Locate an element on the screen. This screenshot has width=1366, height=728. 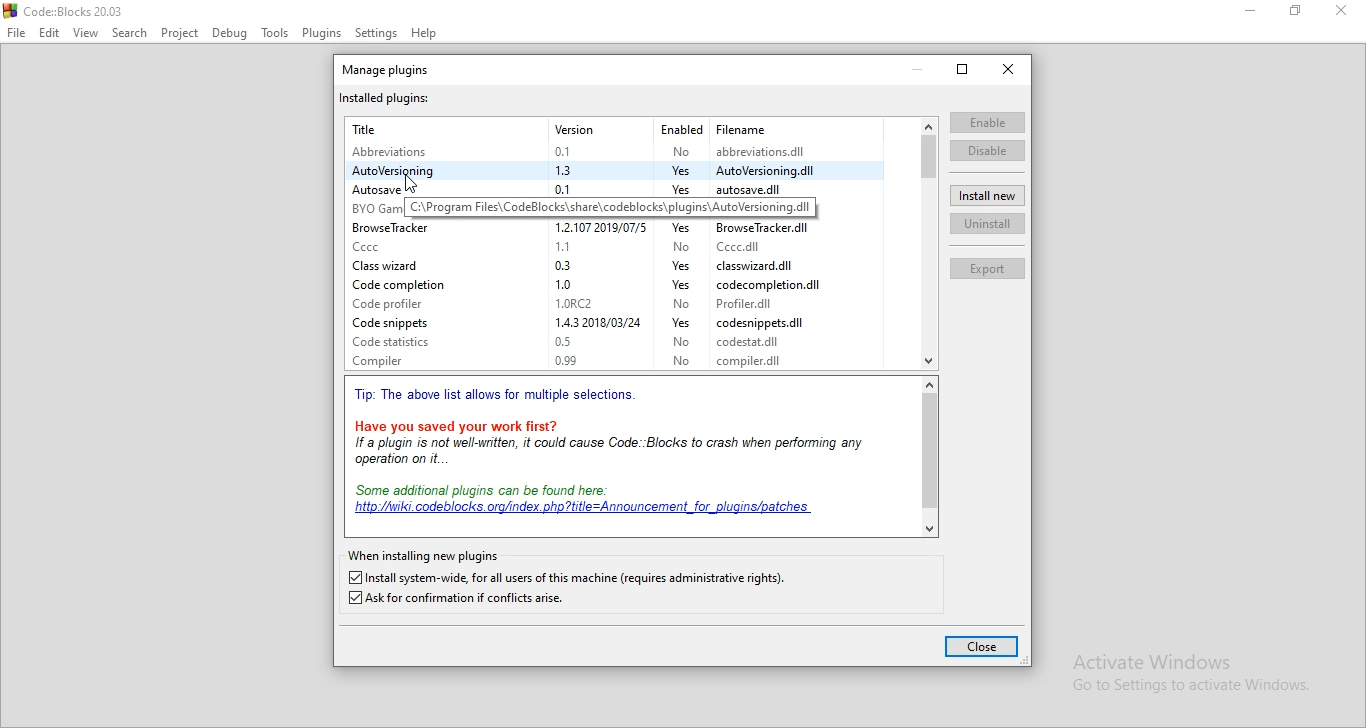
autosave.dil is located at coordinates (764, 189).